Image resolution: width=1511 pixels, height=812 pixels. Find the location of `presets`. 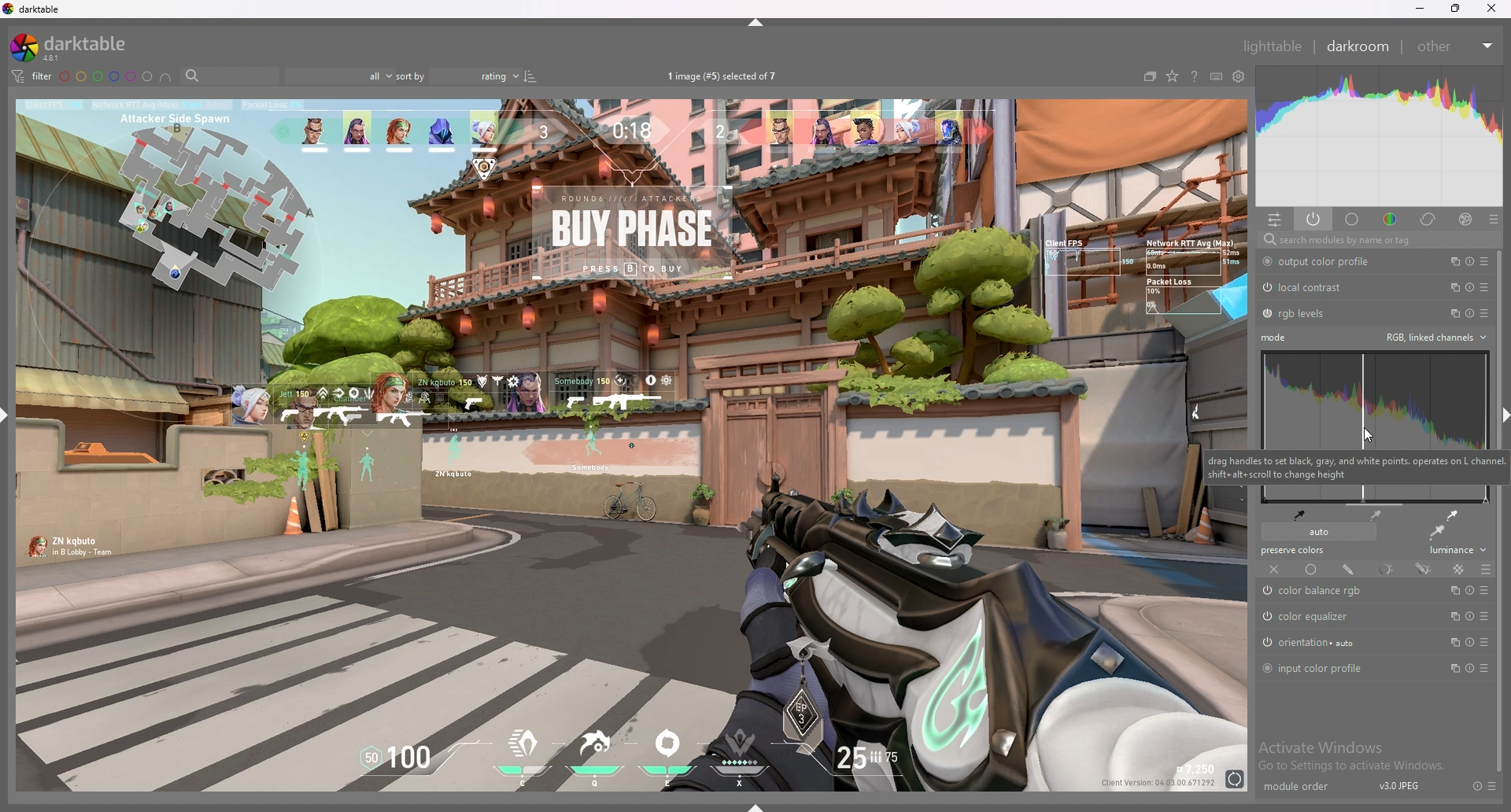

presets is located at coordinates (1484, 591).